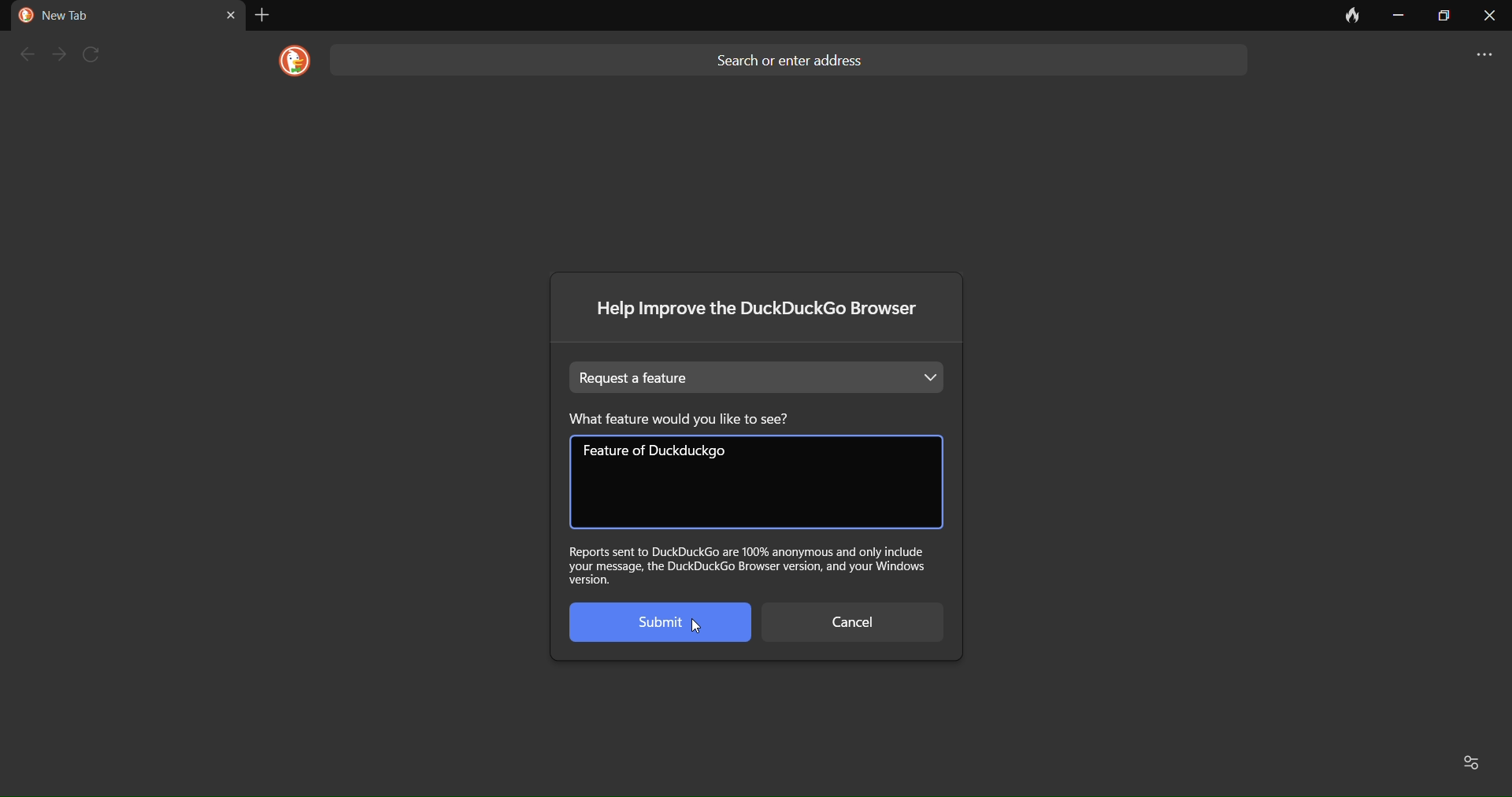 Image resolution: width=1512 pixels, height=797 pixels. What do you see at coordinates (851, 624) in the screenshot?
I see `cancel` at bounding box center [851, 624].